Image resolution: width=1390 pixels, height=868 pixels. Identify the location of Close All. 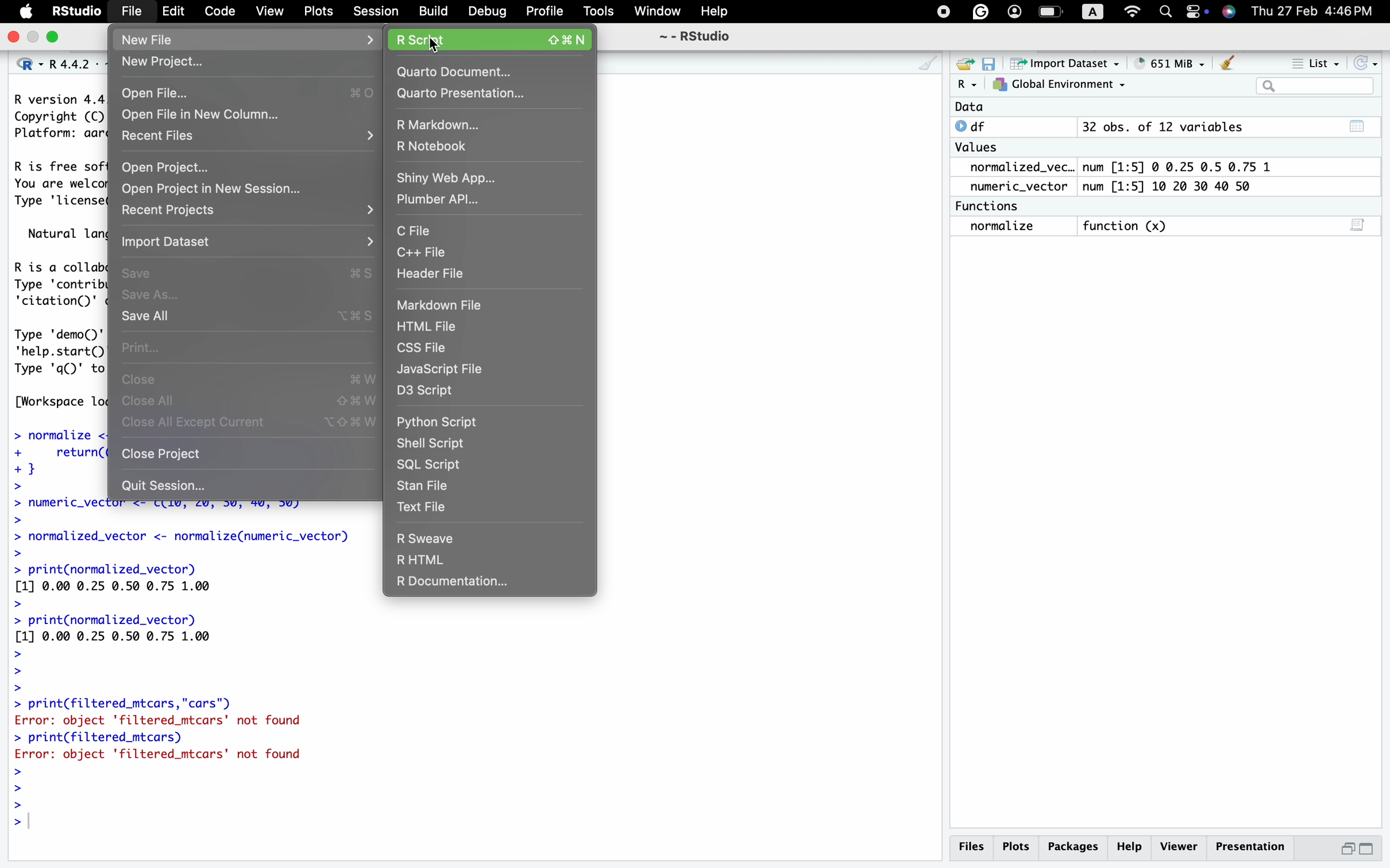
(241, 402).